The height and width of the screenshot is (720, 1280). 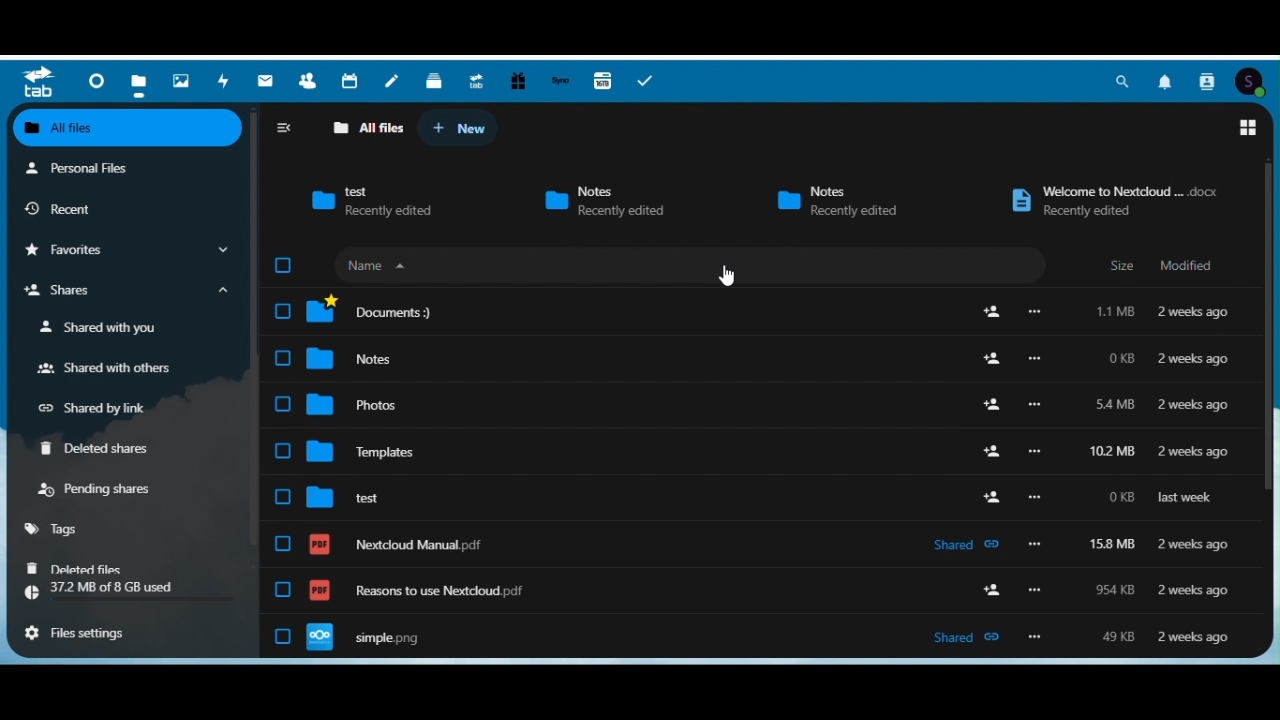 What do you see at coordinates (464, 126) in the screenshot?
I see `New` at bounding box center [464, 126].